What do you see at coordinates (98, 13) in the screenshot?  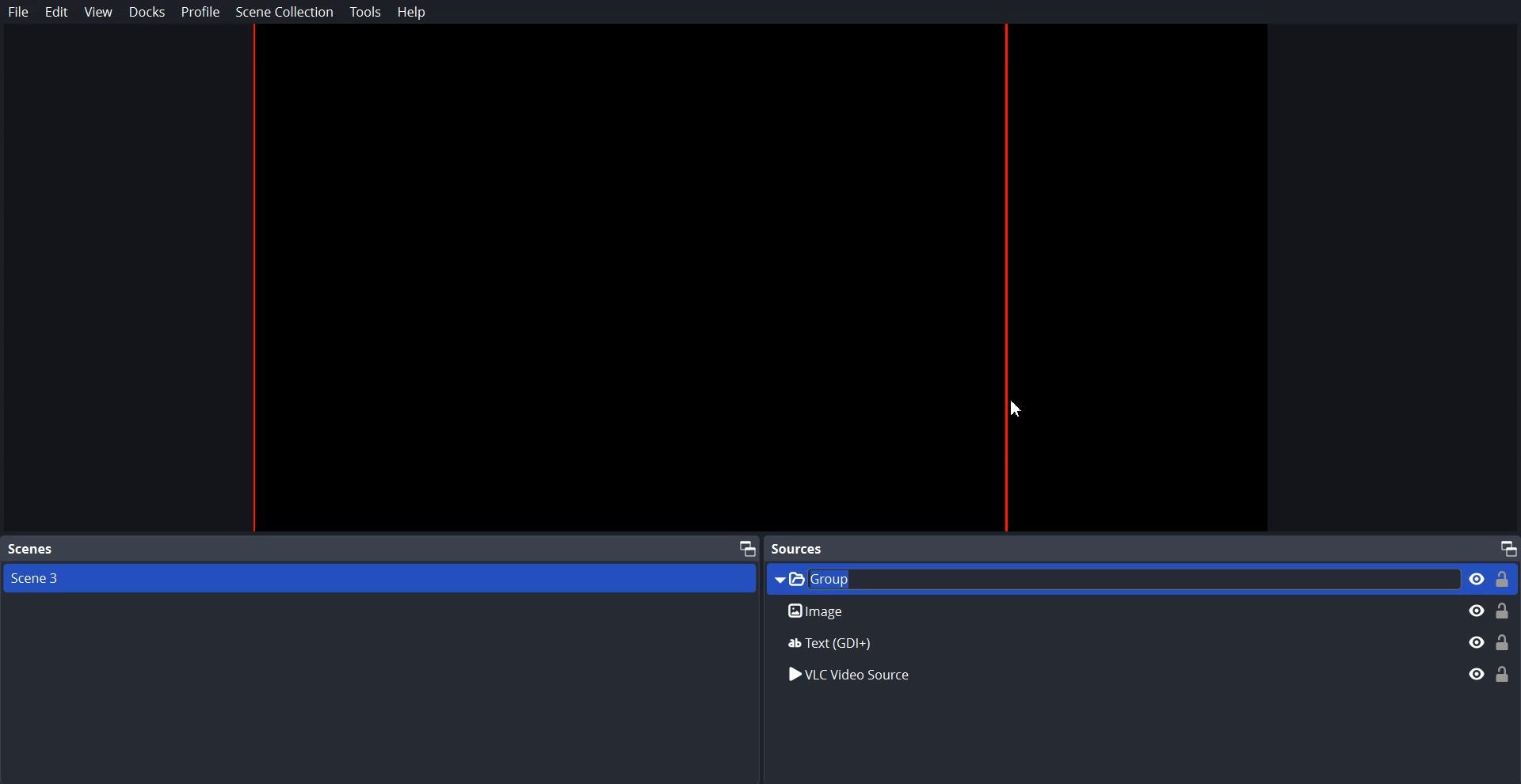 I see `View` at bounding box center [98, 13].